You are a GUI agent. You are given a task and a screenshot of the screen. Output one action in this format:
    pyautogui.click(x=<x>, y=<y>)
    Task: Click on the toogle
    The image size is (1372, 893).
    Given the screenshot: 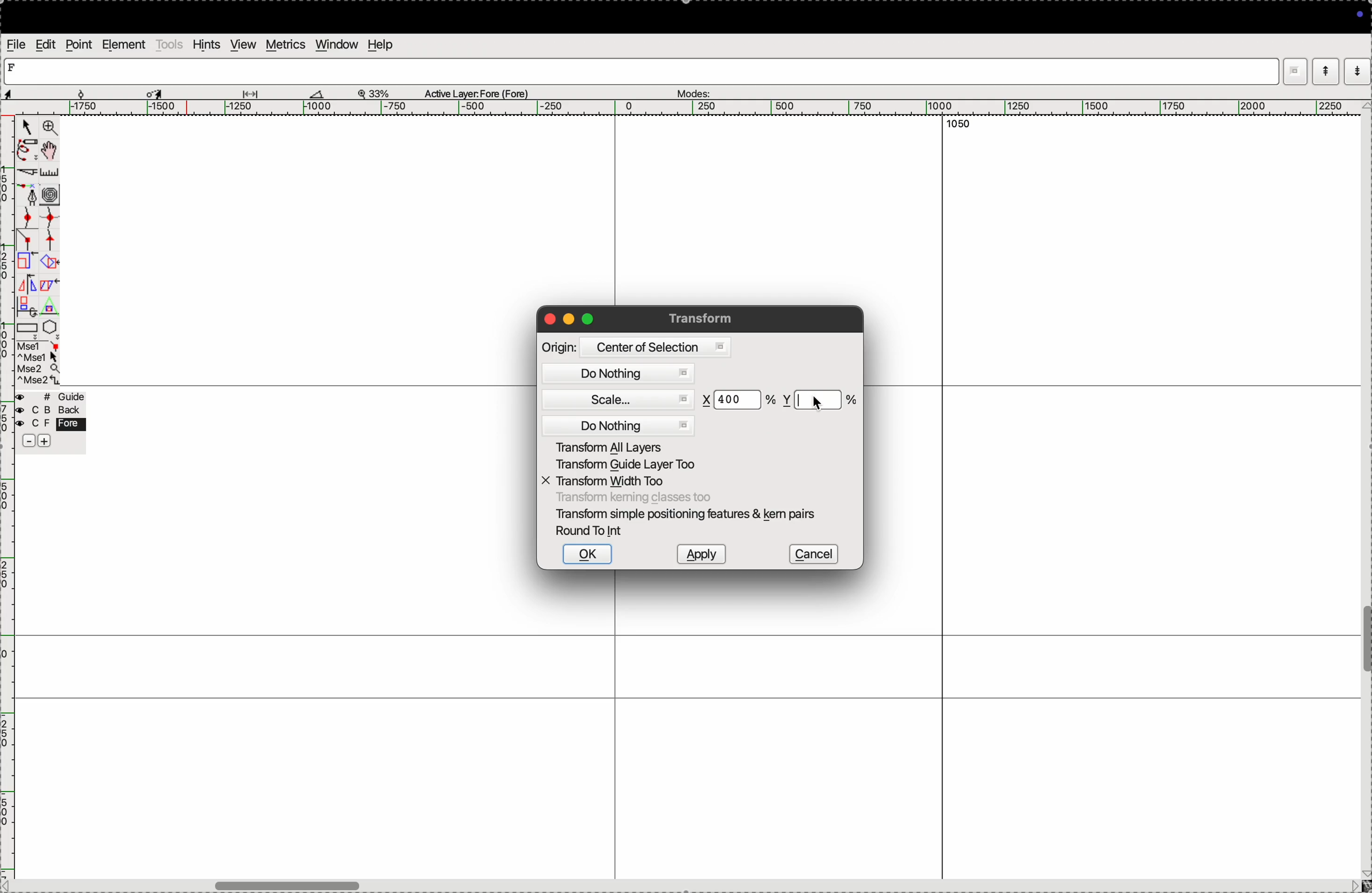 What is the action you would take?
    pyautogui.click(x=311, y=883)
    